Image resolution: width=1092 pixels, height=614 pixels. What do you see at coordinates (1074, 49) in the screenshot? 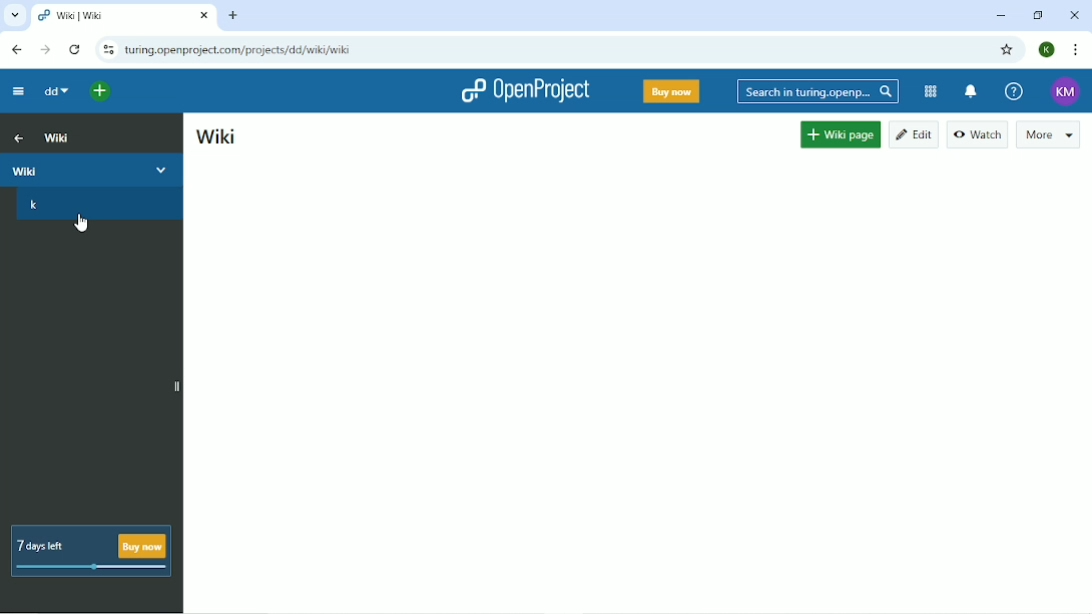
I see `Customize and control google chrome` at bounding box center [1074, 49].